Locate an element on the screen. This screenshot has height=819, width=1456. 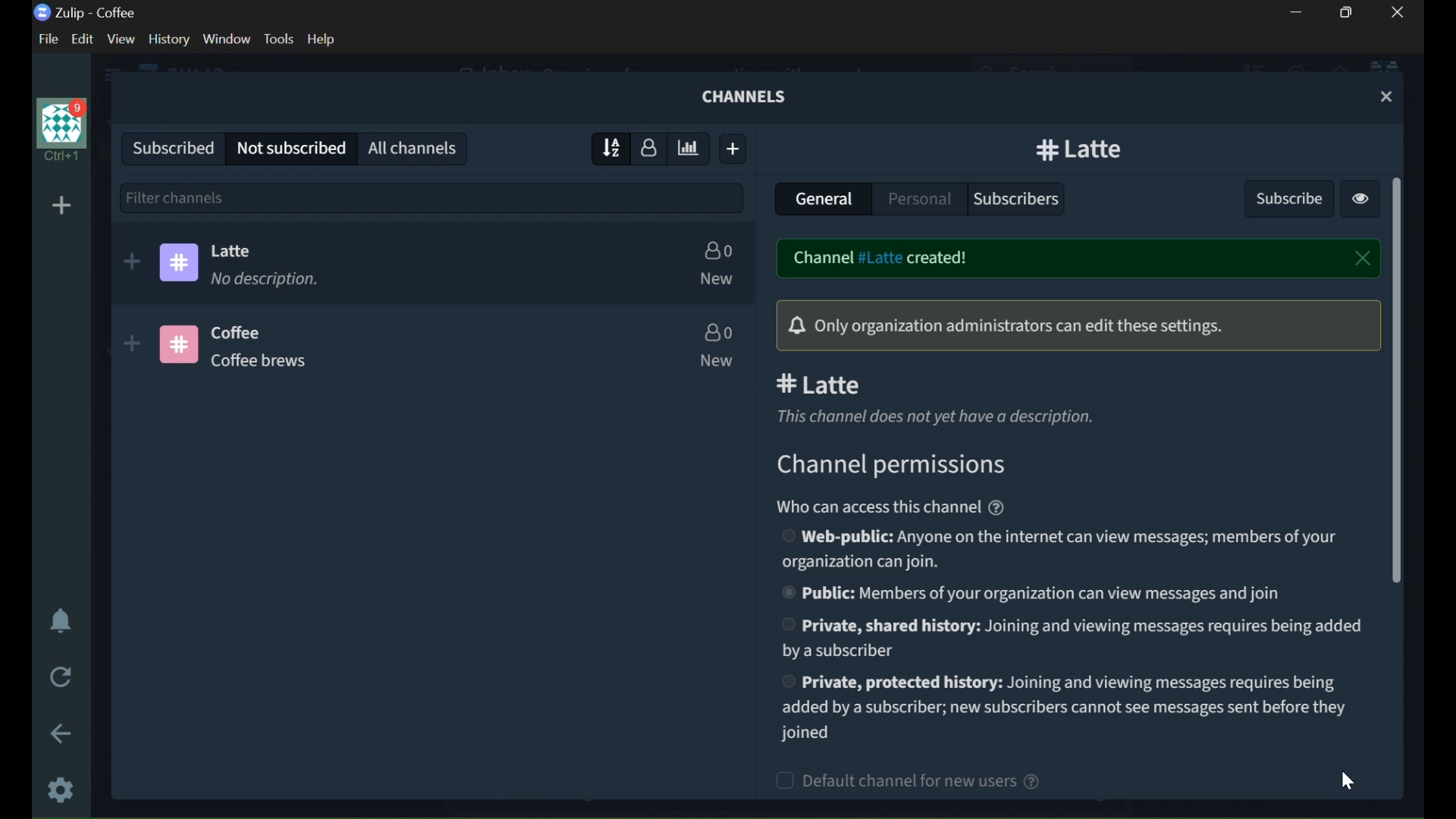
WINDOW is located at coordinates (227, 39).